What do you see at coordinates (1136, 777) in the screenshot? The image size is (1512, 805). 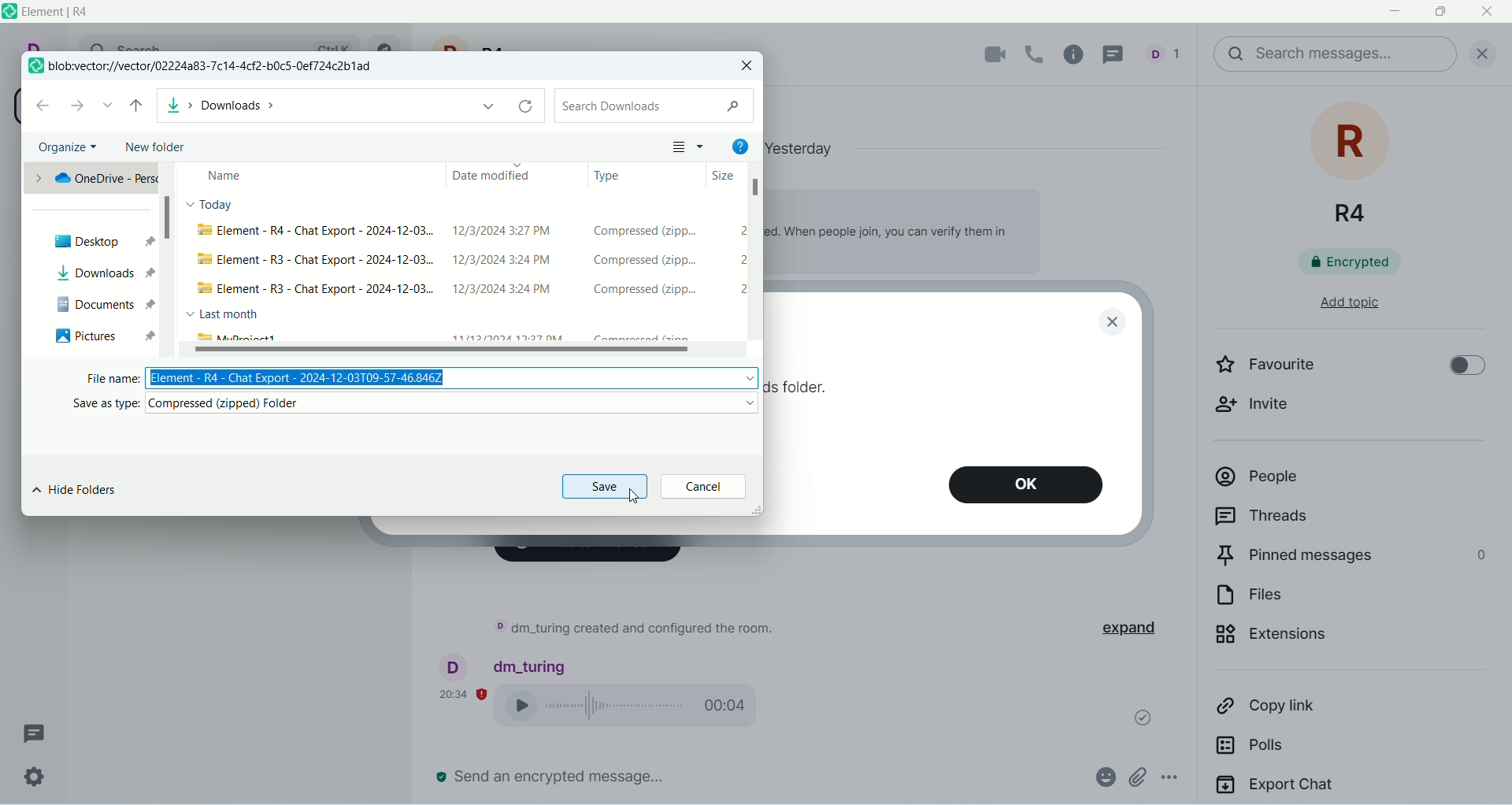 I see `attachment` at bounding box center [1136, 777].